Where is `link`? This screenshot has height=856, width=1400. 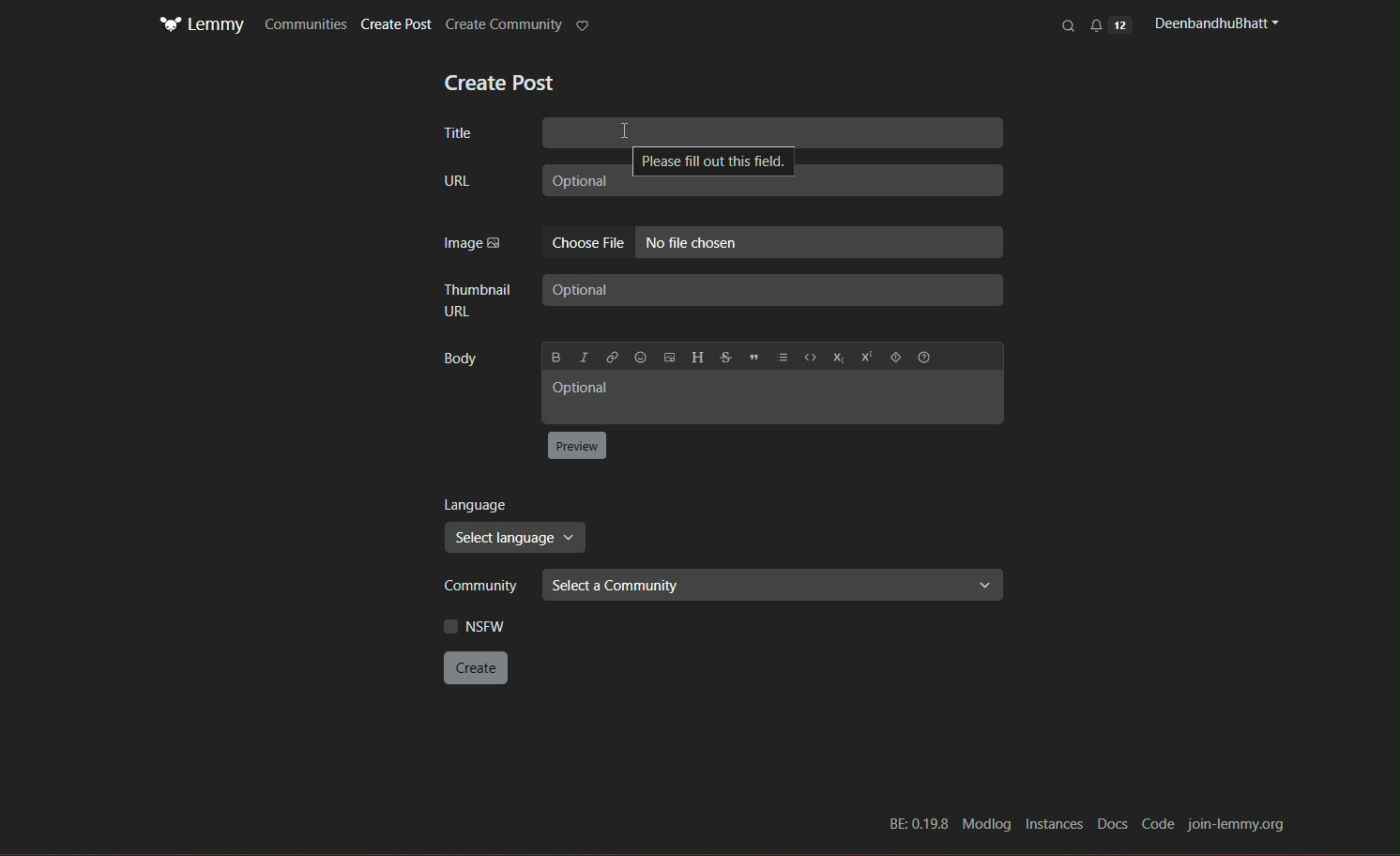
link is located at coordinates (612, 358).